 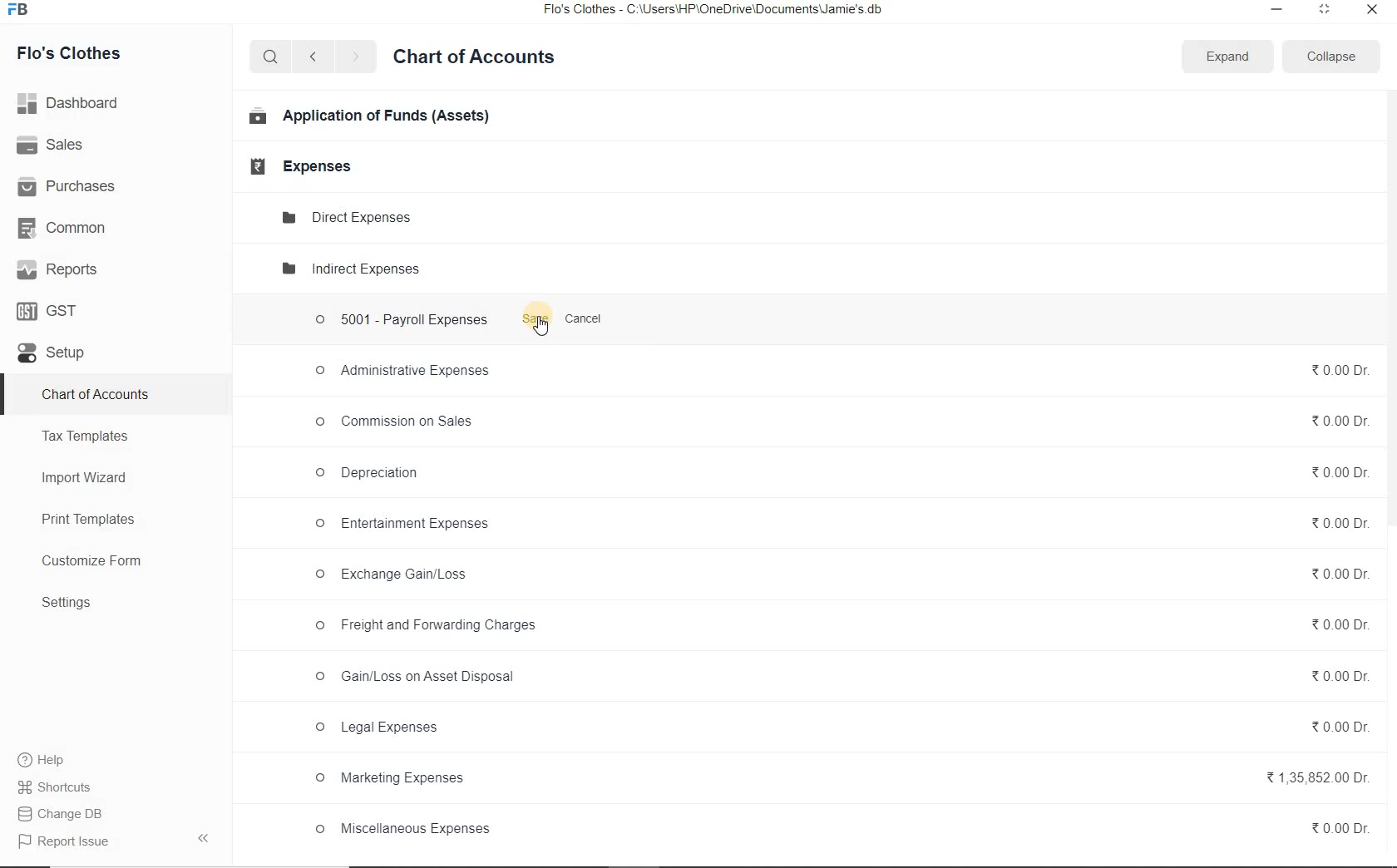 I want to click on Cancel, so click(x=586, y=322).